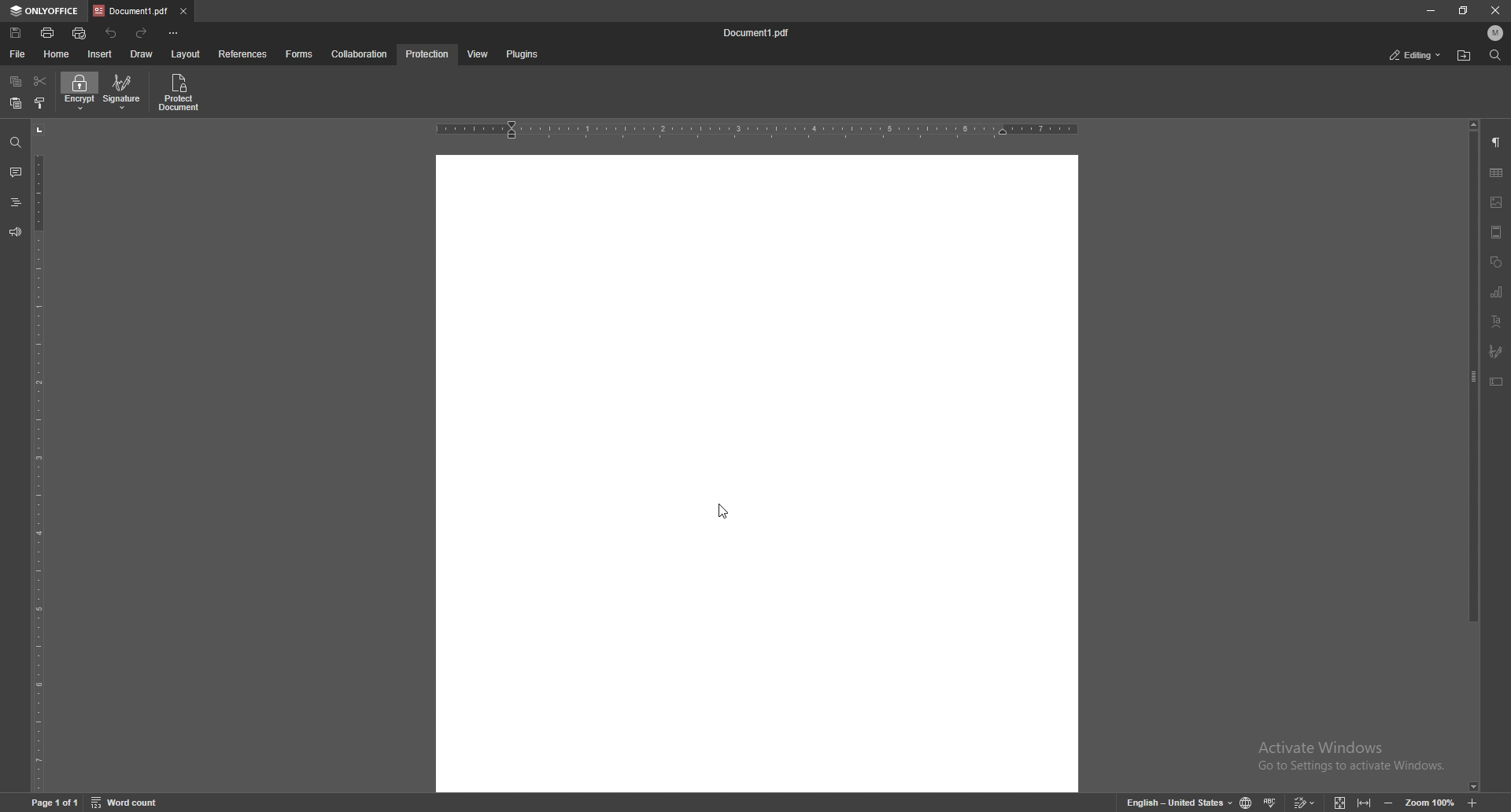  I want to click on fit to width, so click(1365, 801).